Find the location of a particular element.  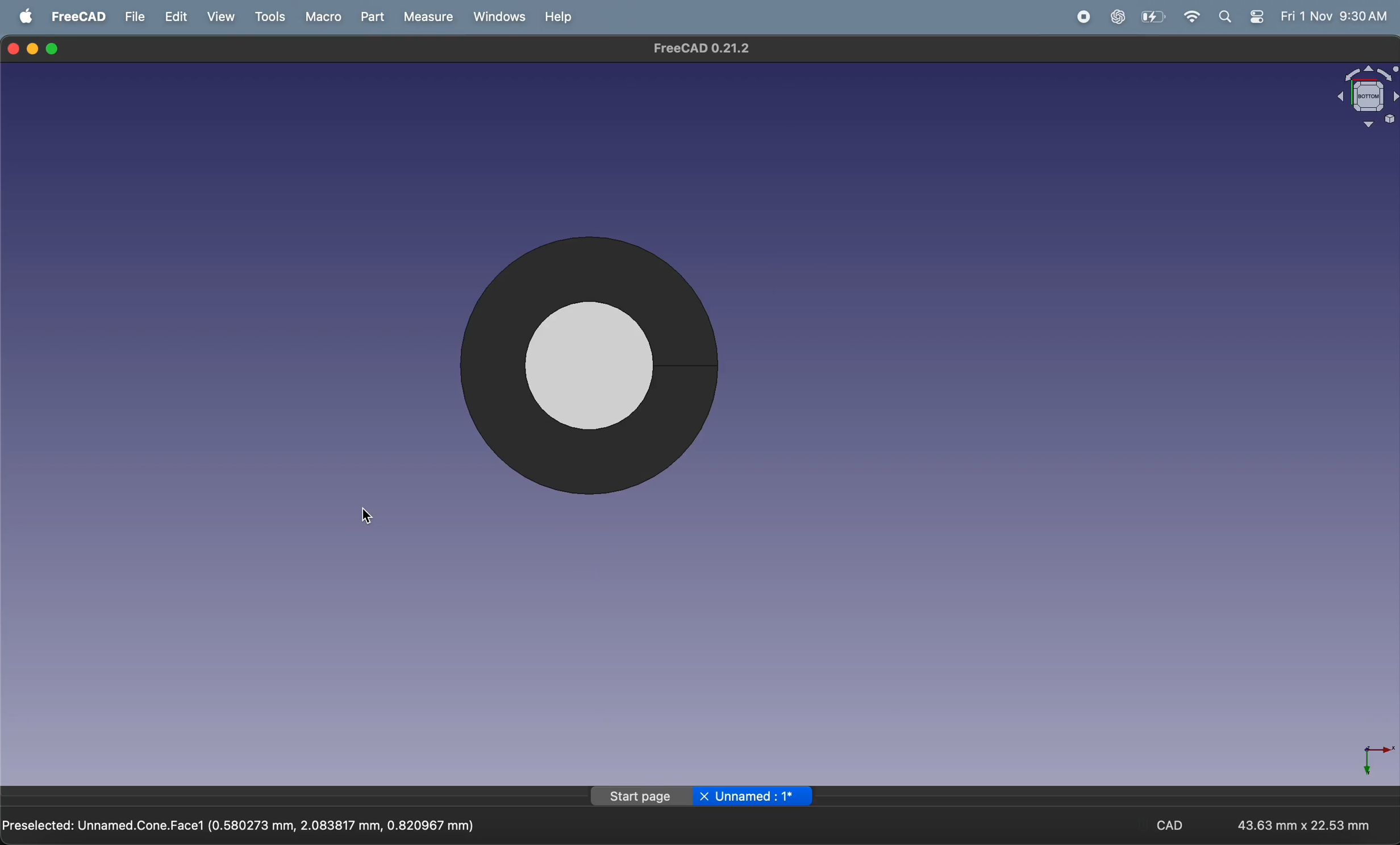

file is located at coordinates (136, 16).